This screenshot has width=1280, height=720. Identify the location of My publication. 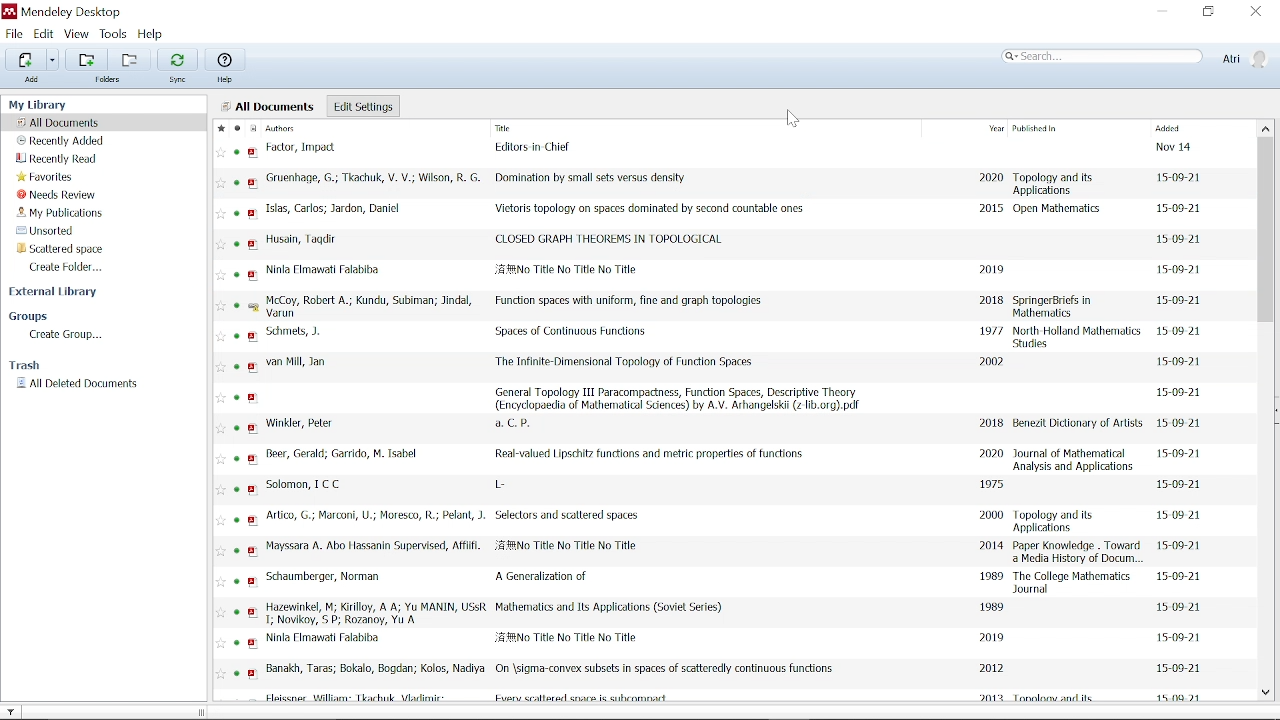
(62, 214).